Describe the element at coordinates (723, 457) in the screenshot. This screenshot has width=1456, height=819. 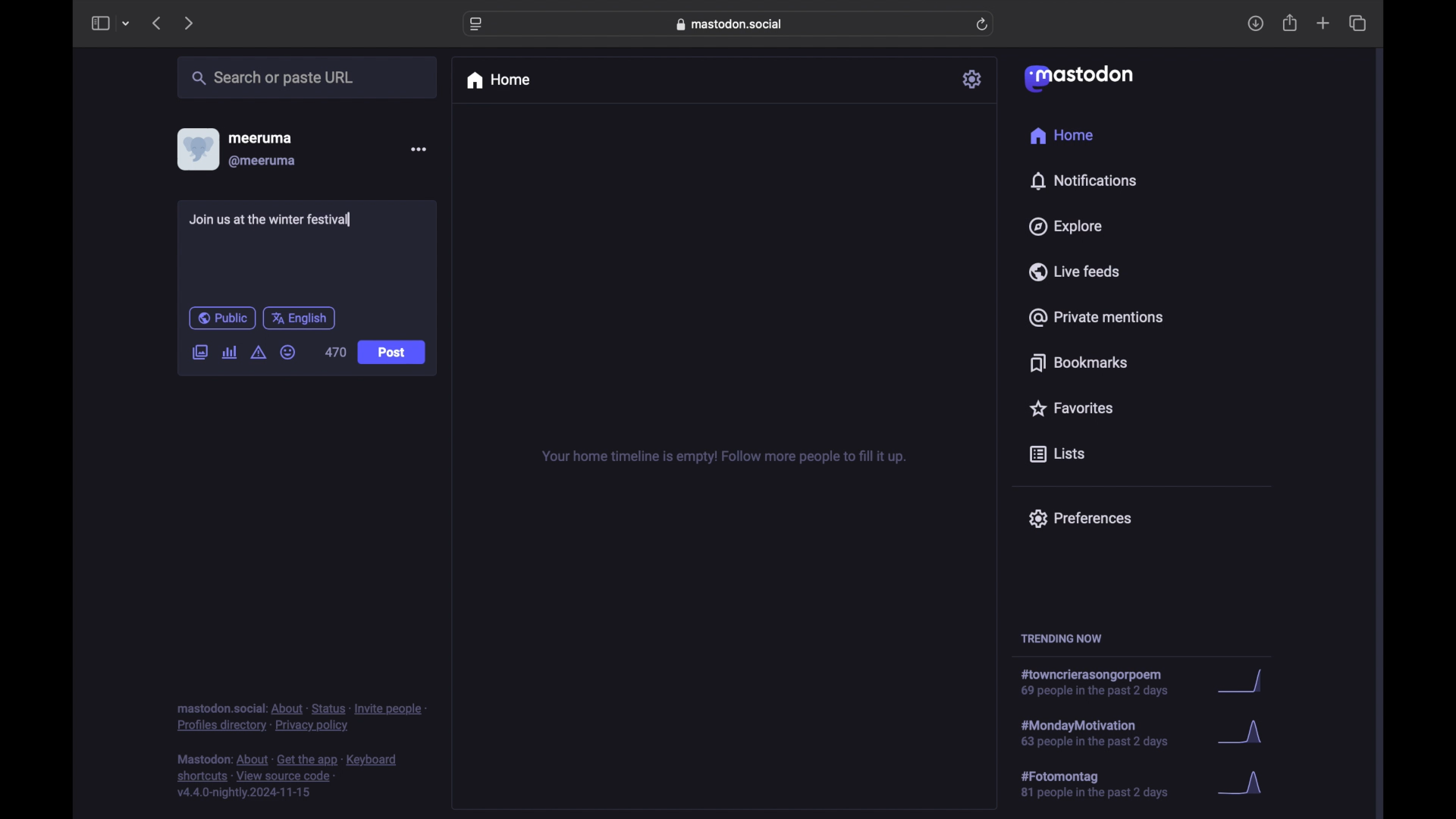
I see `your home timeline is empty! follow more people to fill it up` at that location.